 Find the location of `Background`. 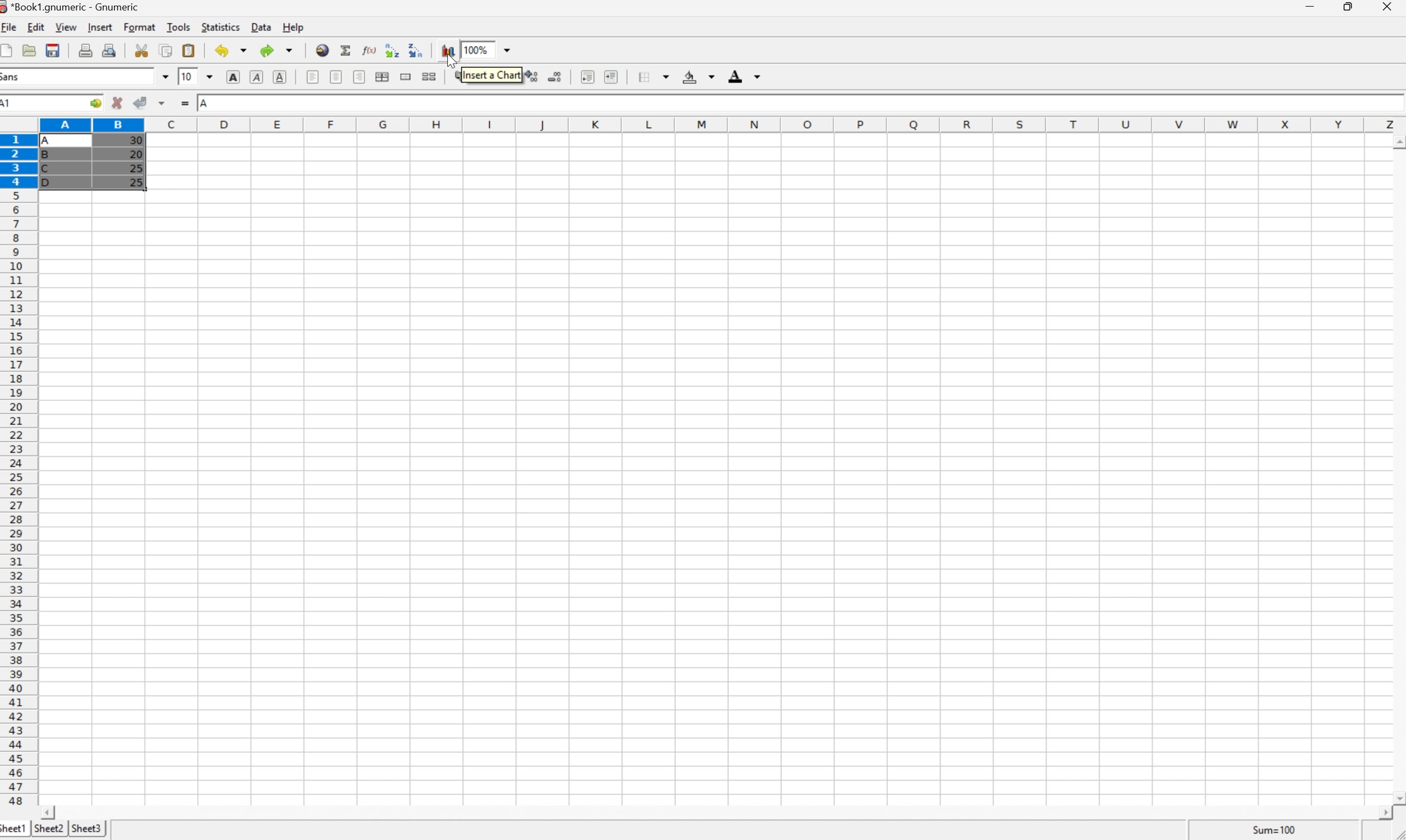

Background is located at coordinates (698, 78).